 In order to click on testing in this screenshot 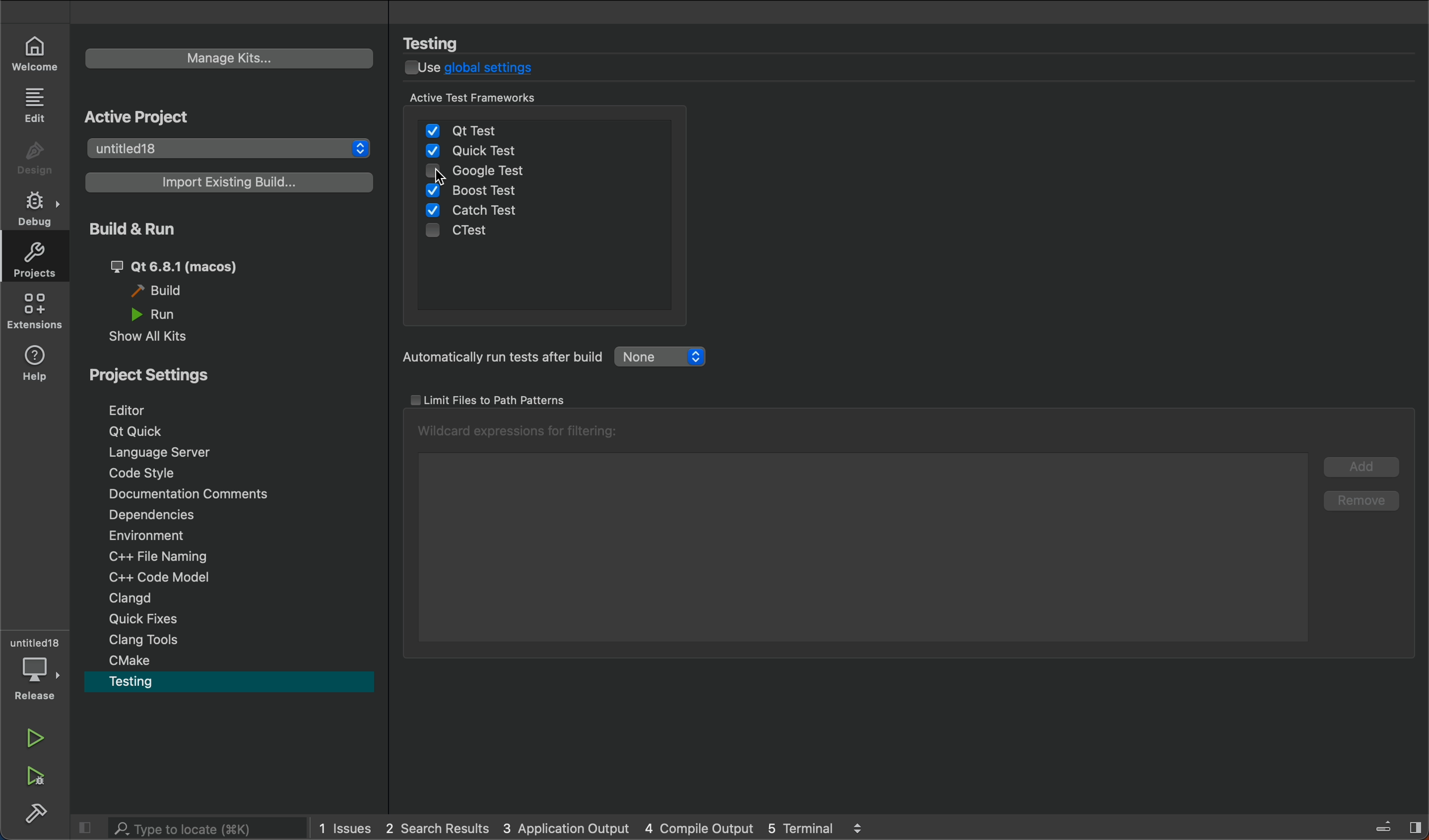, I will do `click(443, 43)`.